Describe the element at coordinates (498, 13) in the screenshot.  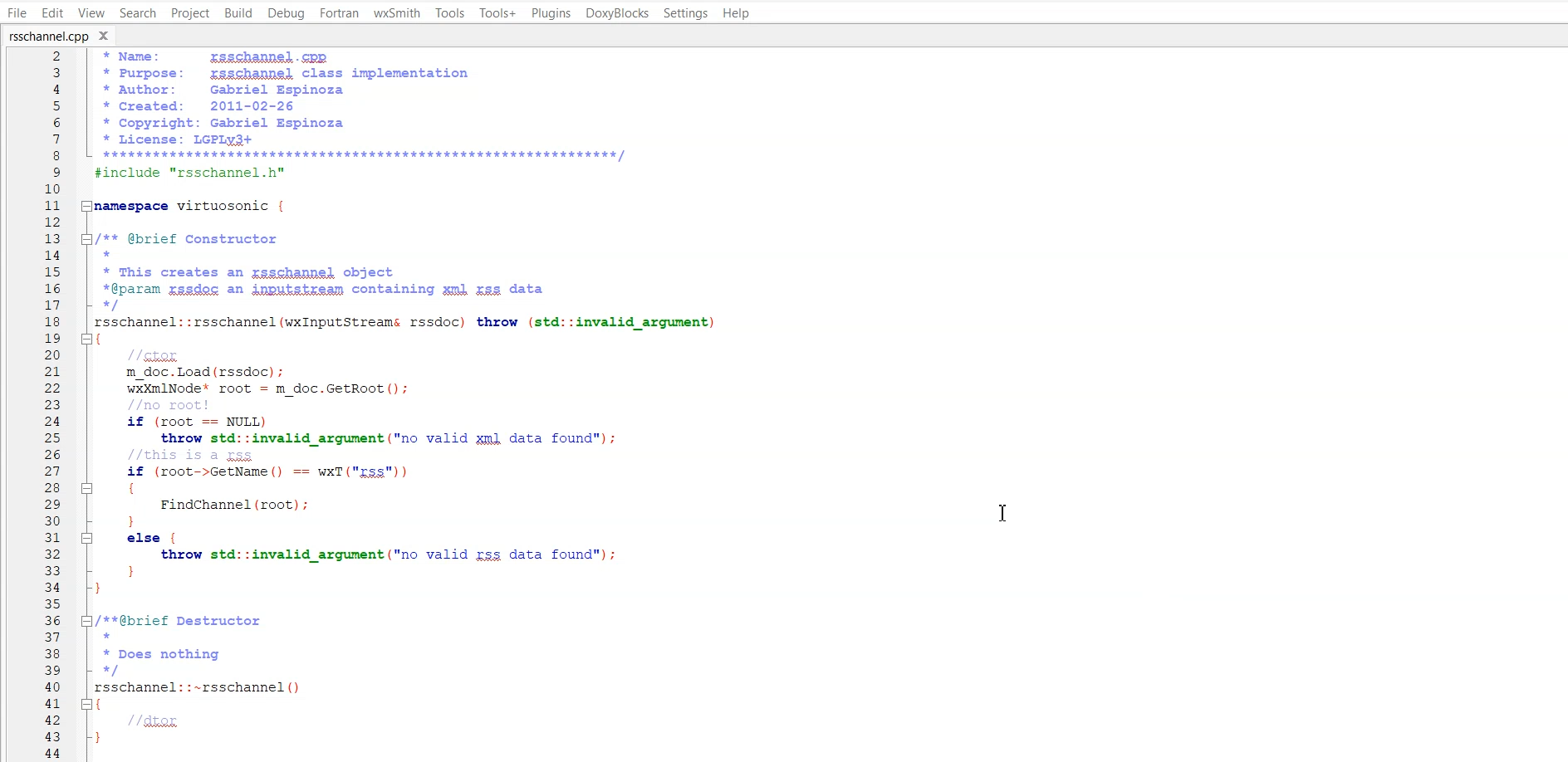
I see `Tools +` at that location.